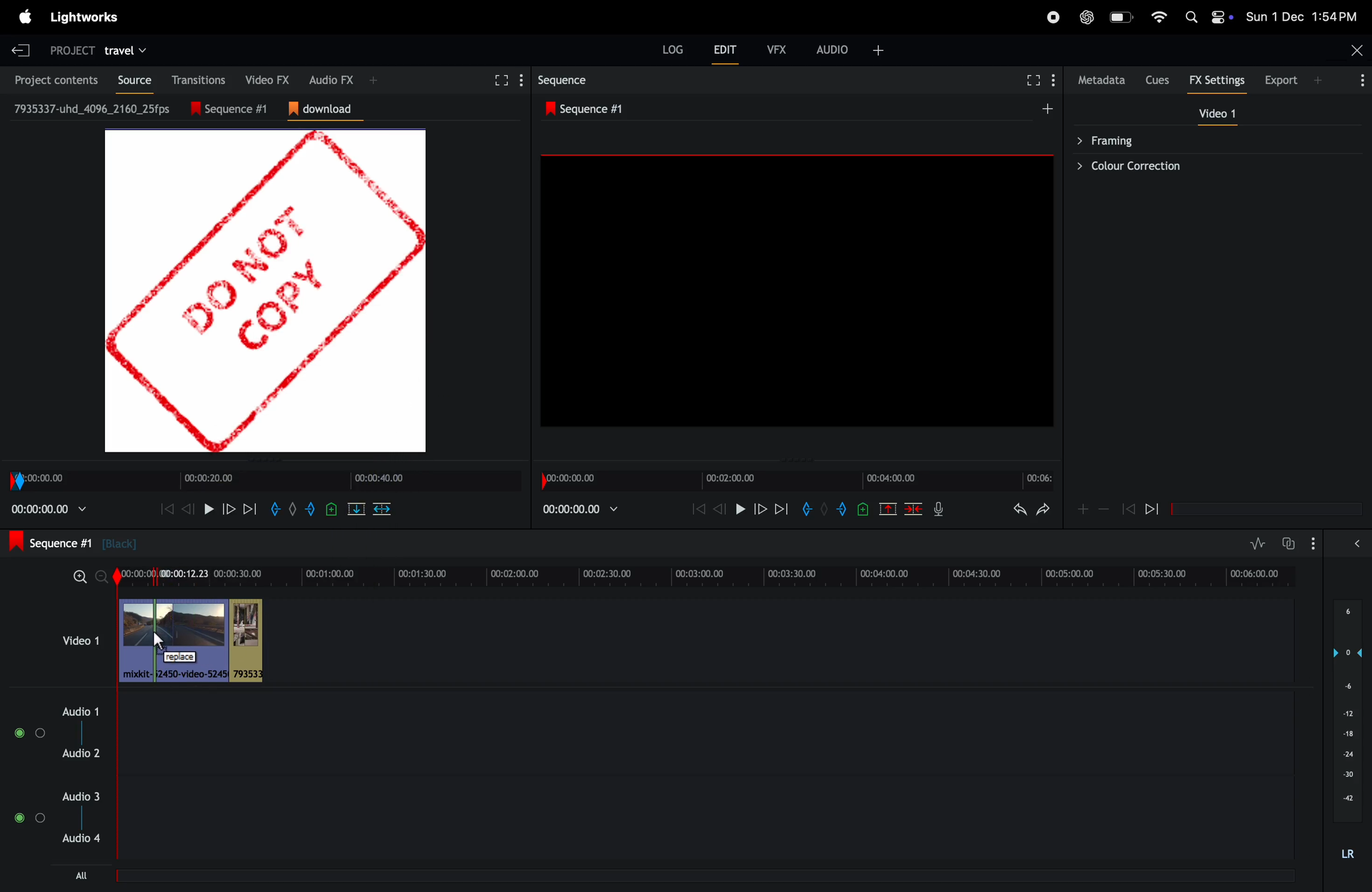  What do you see at coordinates (26, 17) in the screenshot?
I see `Apple logo` at bounding box center [26, 17].